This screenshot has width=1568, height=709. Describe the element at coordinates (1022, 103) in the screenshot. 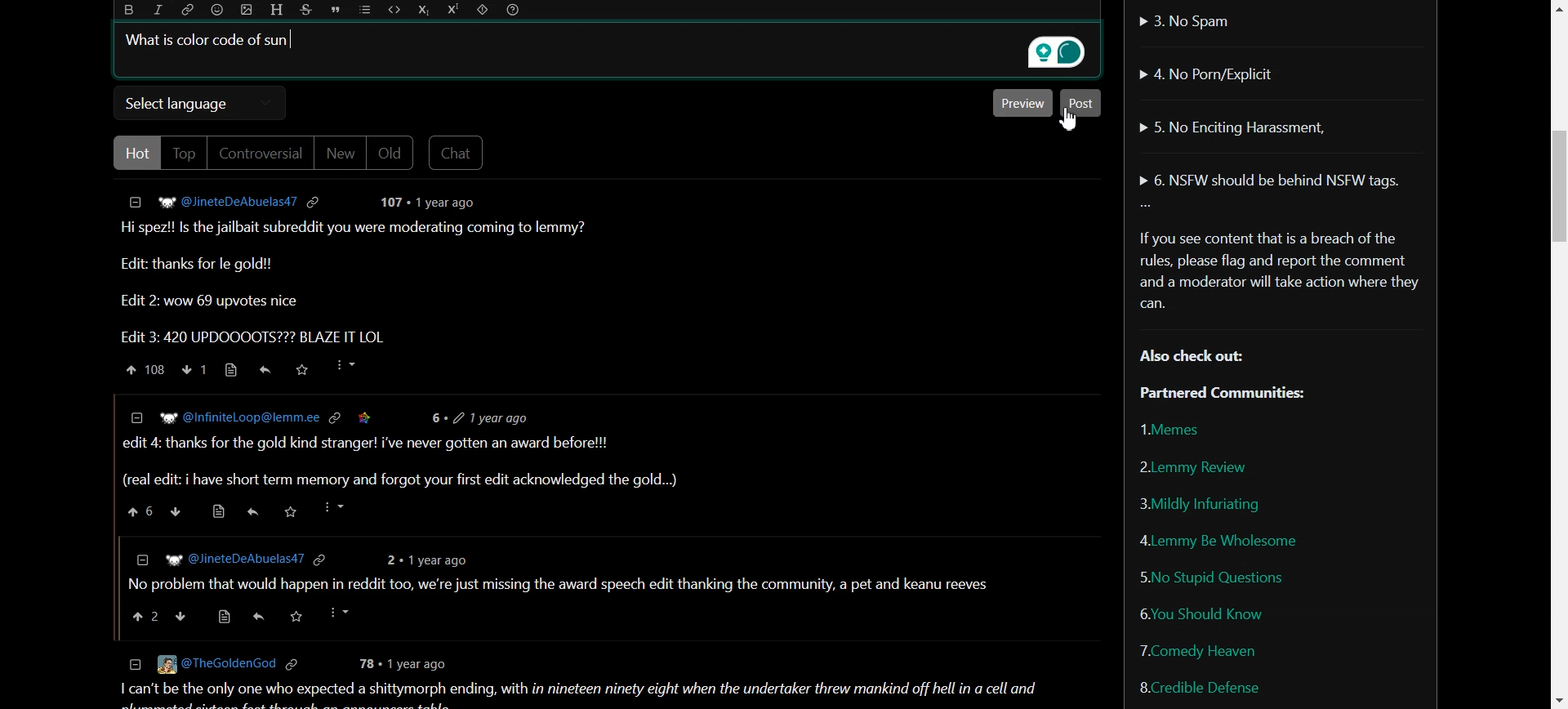

I see `Preview` at that location.